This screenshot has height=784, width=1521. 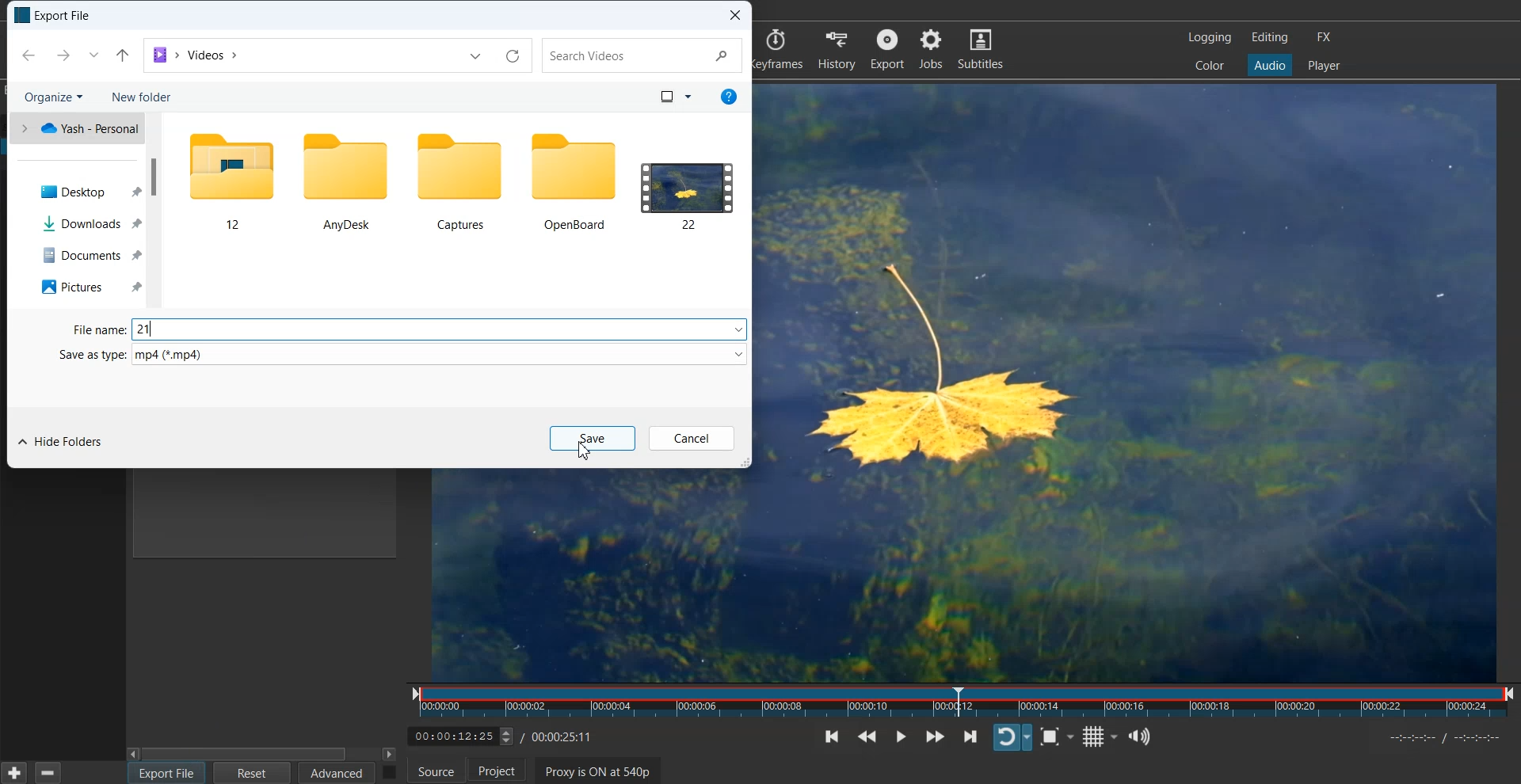 What do you see at coordinates (181, 778) in the screenshot?
I see `Cursor` at bounding box center [181, 778].